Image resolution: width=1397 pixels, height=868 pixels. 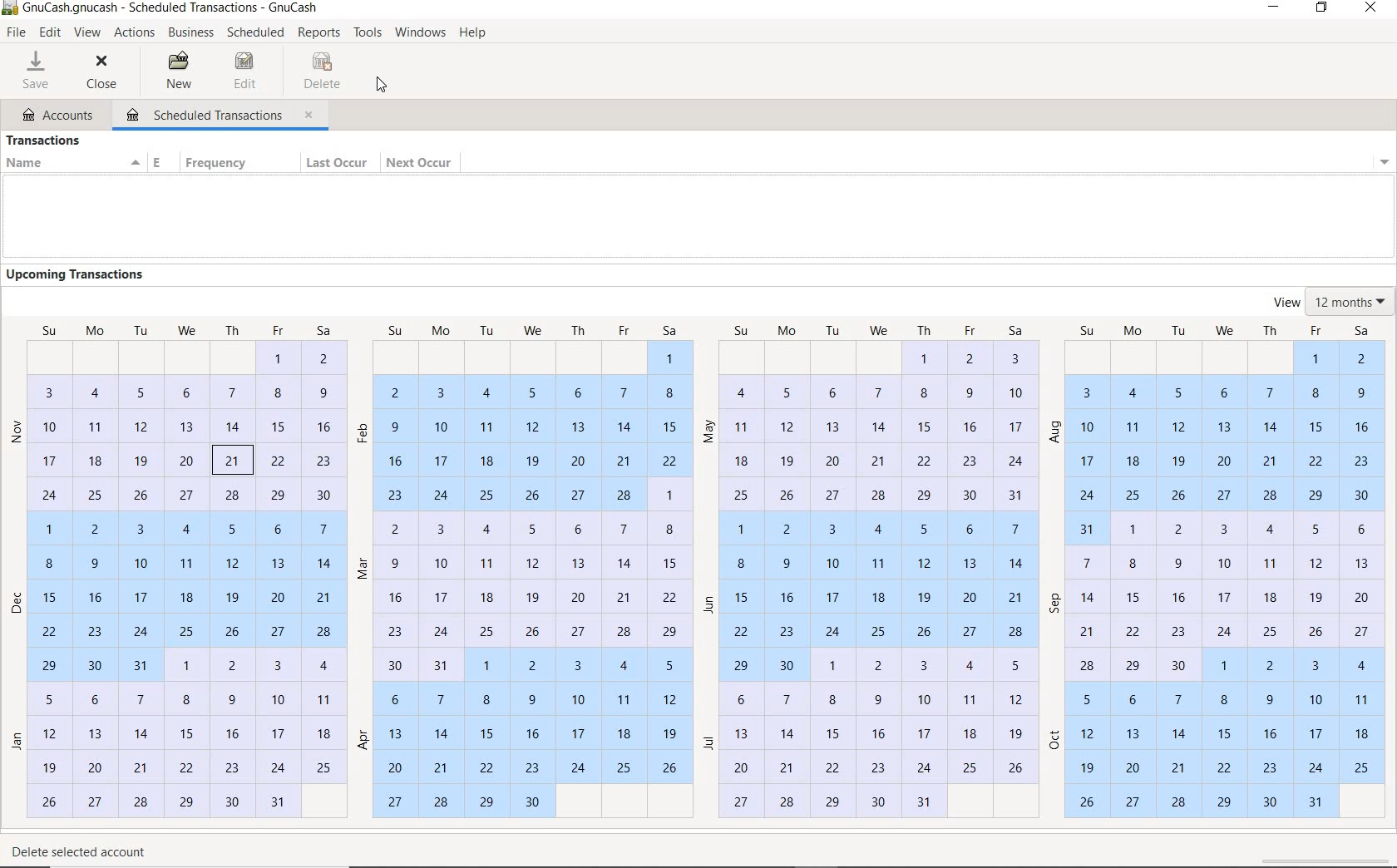 I want to click on CURSOR, so click(x=382, y=86).